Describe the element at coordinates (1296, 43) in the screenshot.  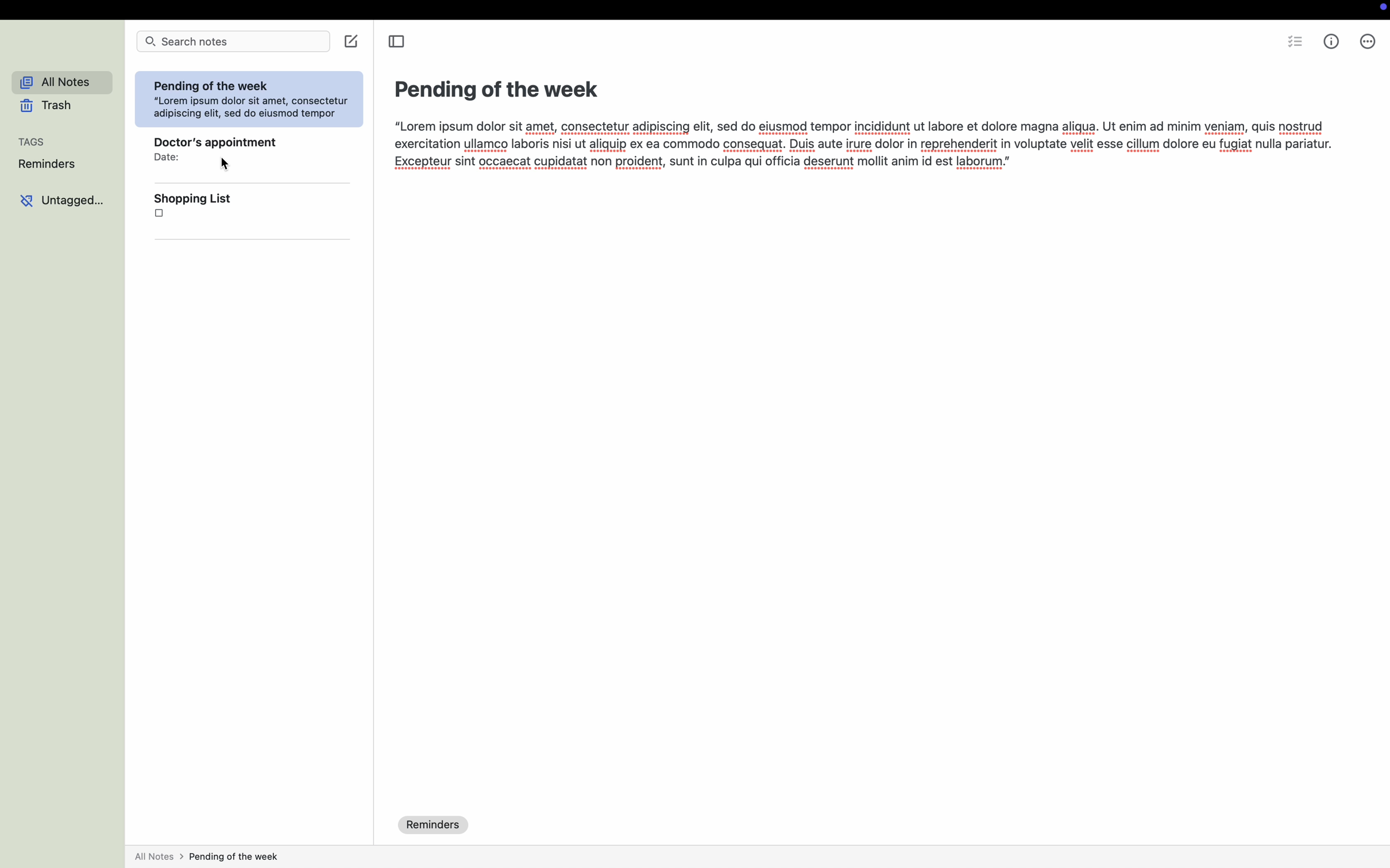
I see `insert checklist` at that location.